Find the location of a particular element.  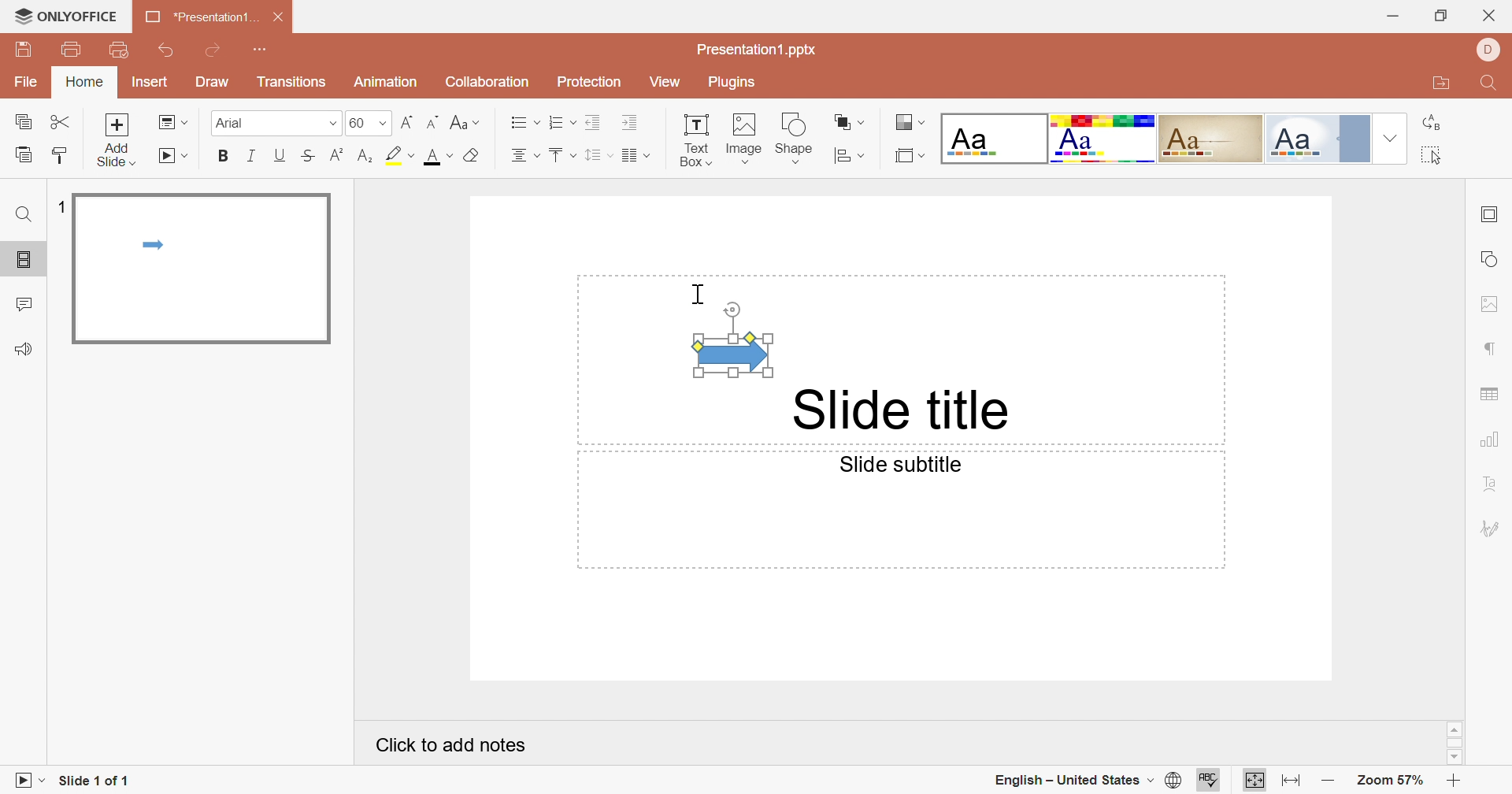

Arrange slides is located at coordinates (850, 123).